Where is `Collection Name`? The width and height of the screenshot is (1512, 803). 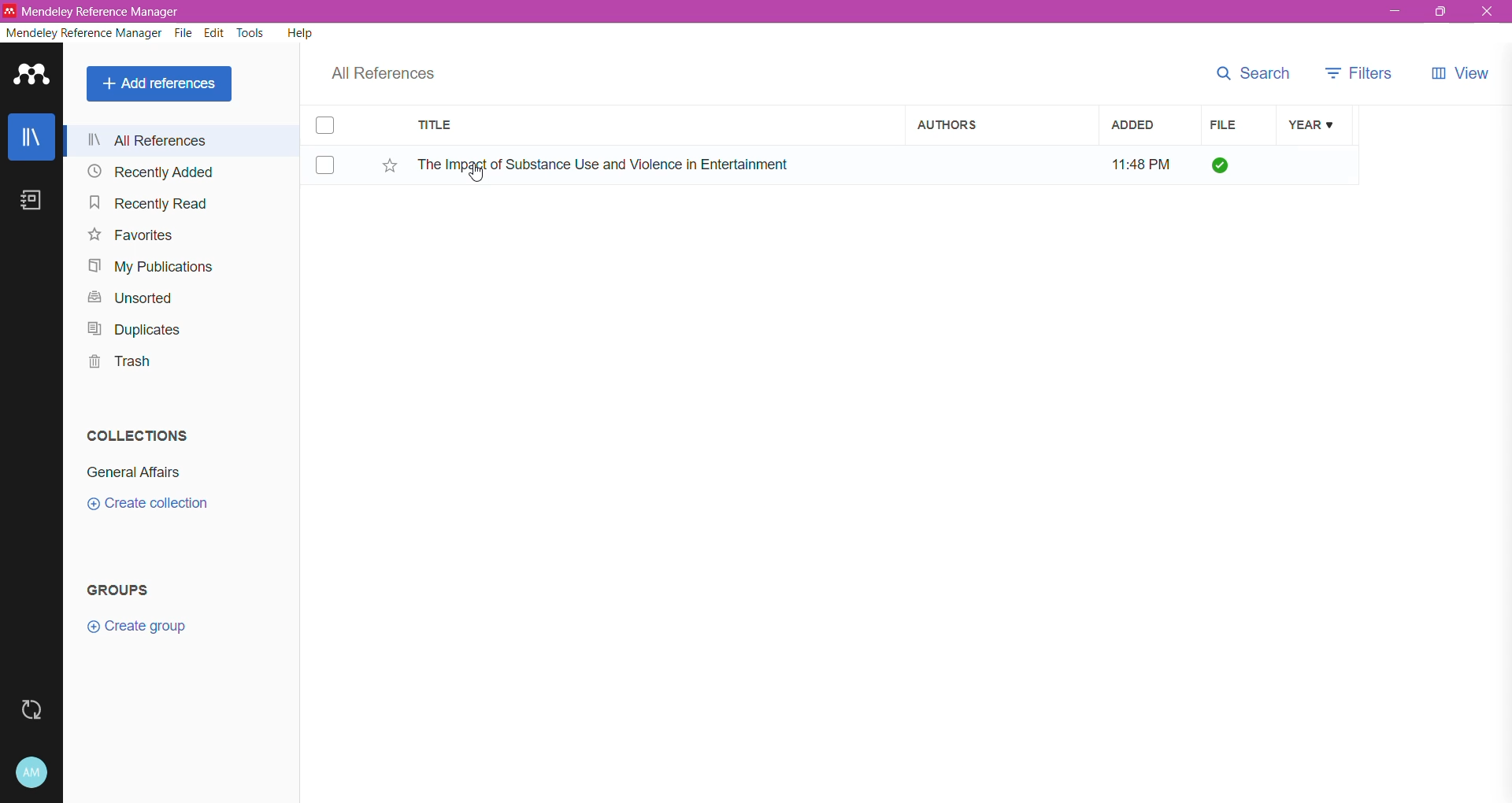
Collection Name is located at coordinates (132, 472).